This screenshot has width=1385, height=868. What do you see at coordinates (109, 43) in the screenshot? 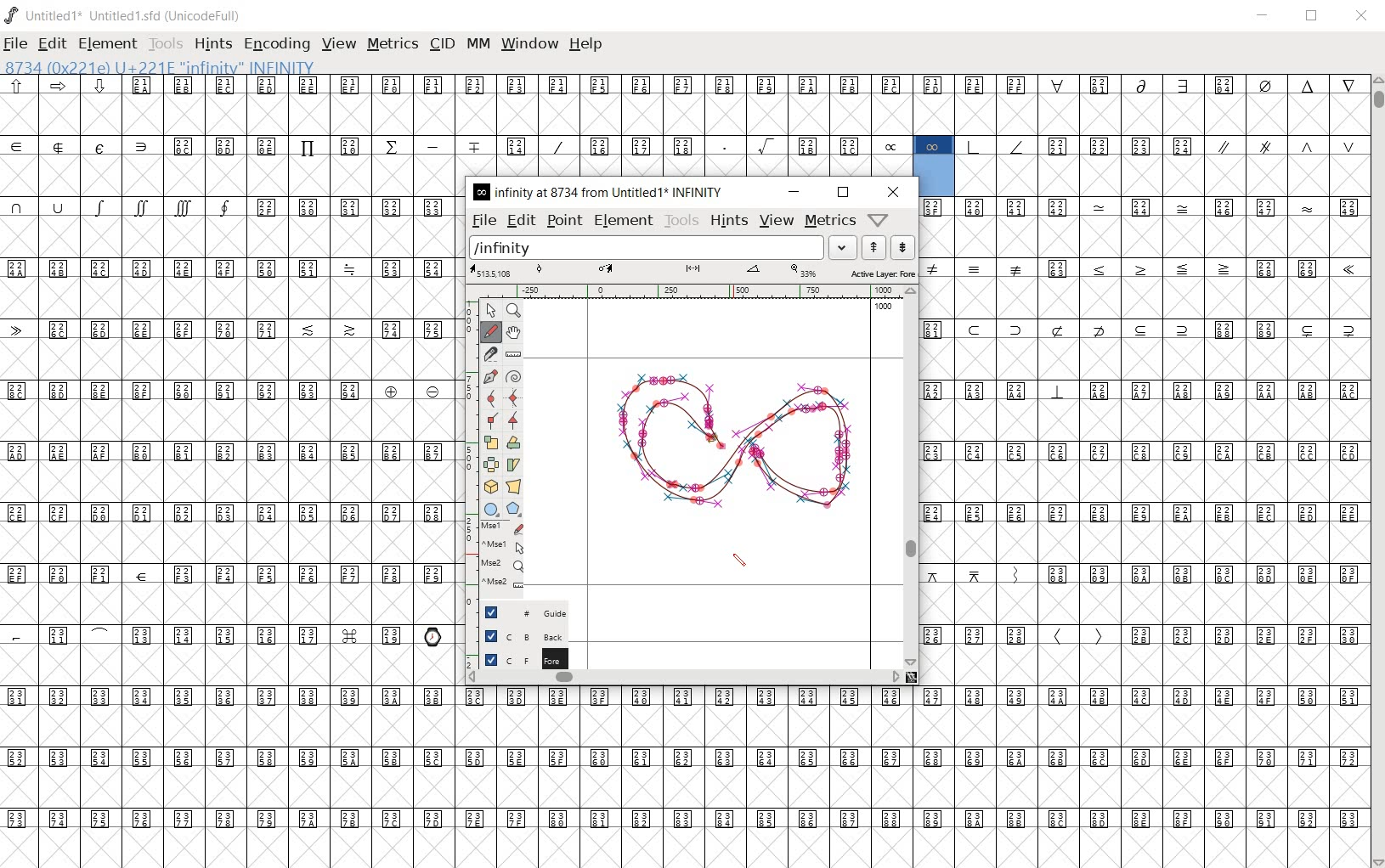
I see `element` at bounding box center [109, 43].